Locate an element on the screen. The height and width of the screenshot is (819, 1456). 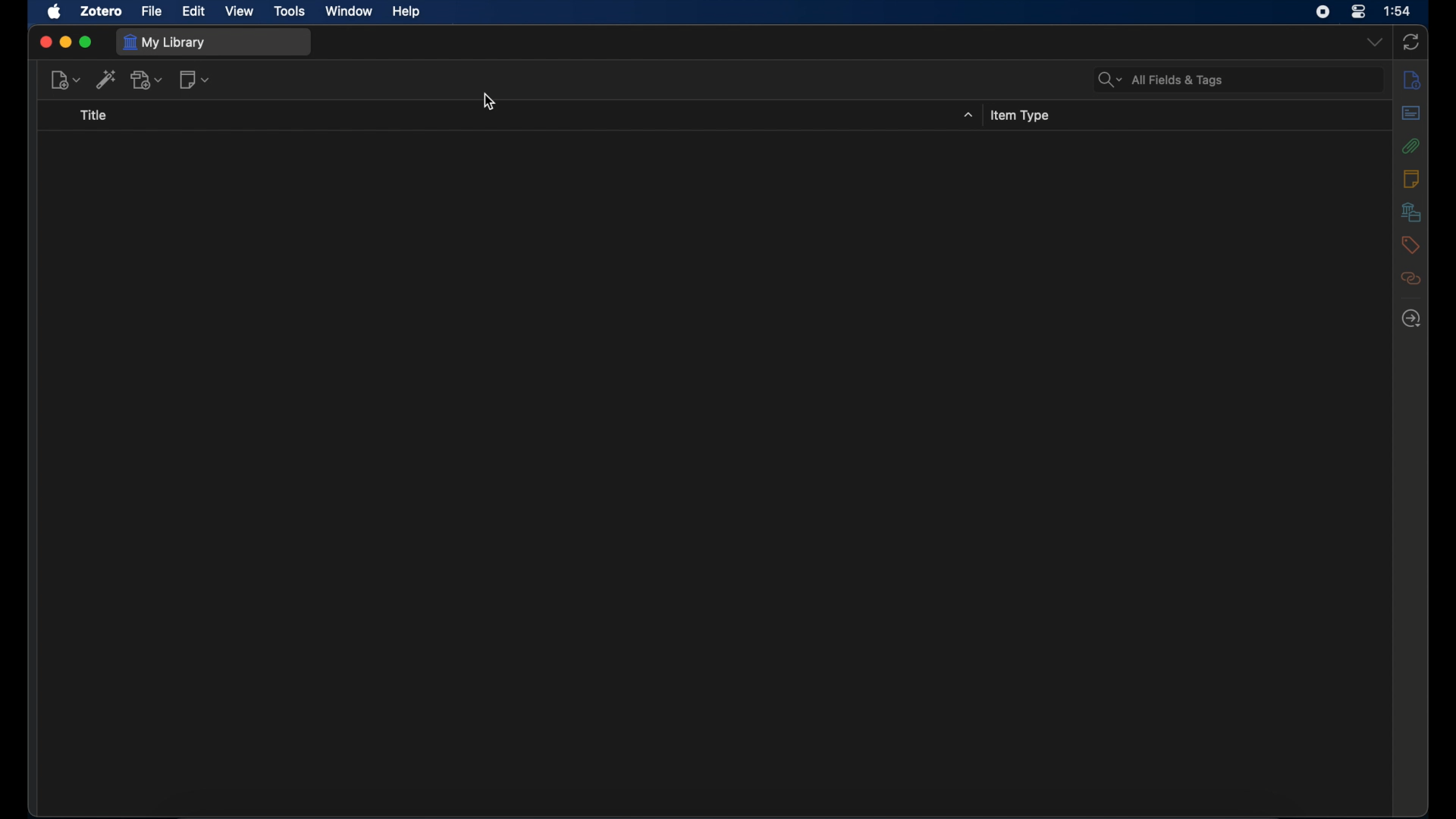
sync is located at coordinates (1410, 42).